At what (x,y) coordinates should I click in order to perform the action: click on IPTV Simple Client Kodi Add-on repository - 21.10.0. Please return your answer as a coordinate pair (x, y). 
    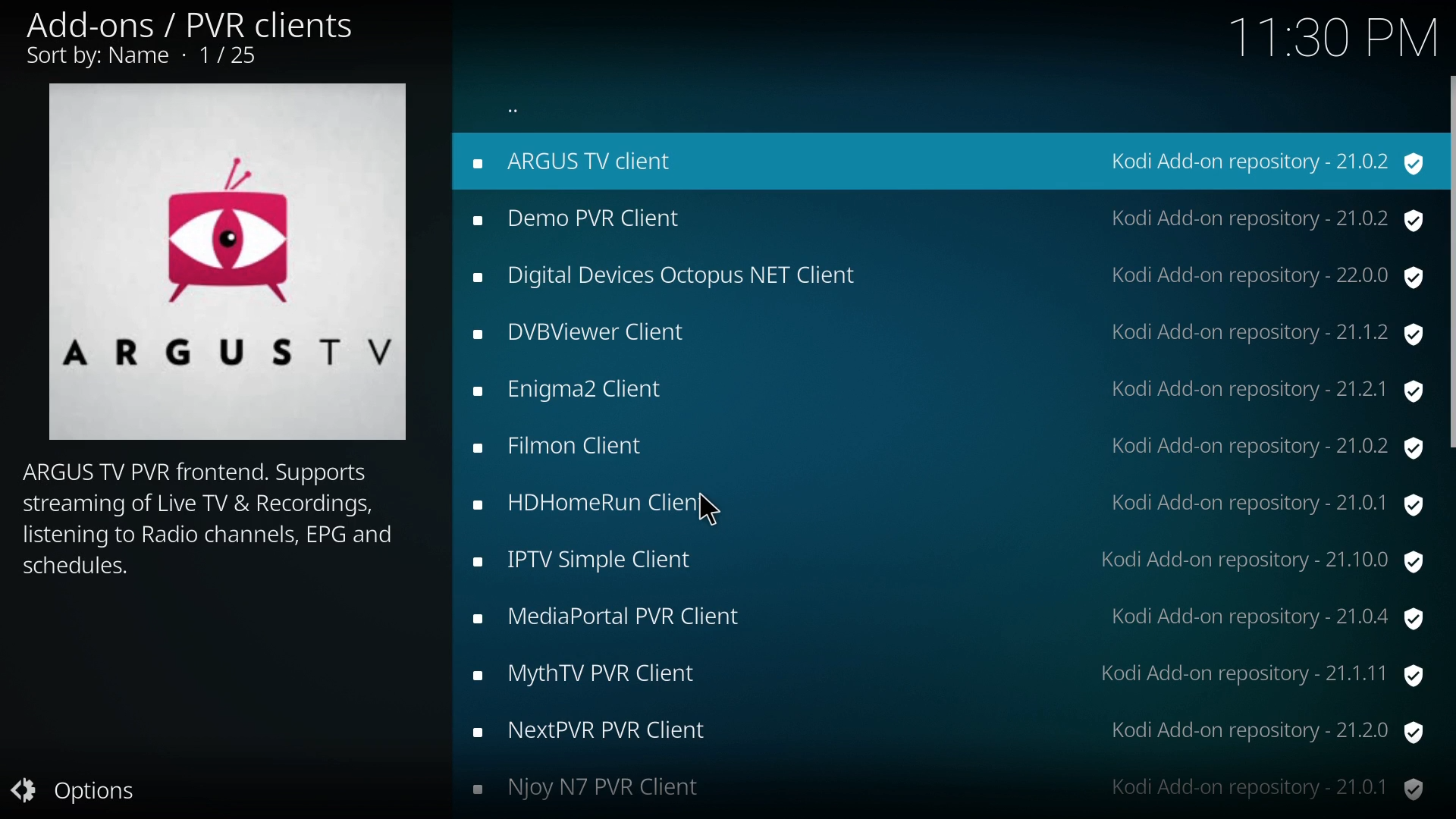
    Looking at the image, I should click on (939, 561).